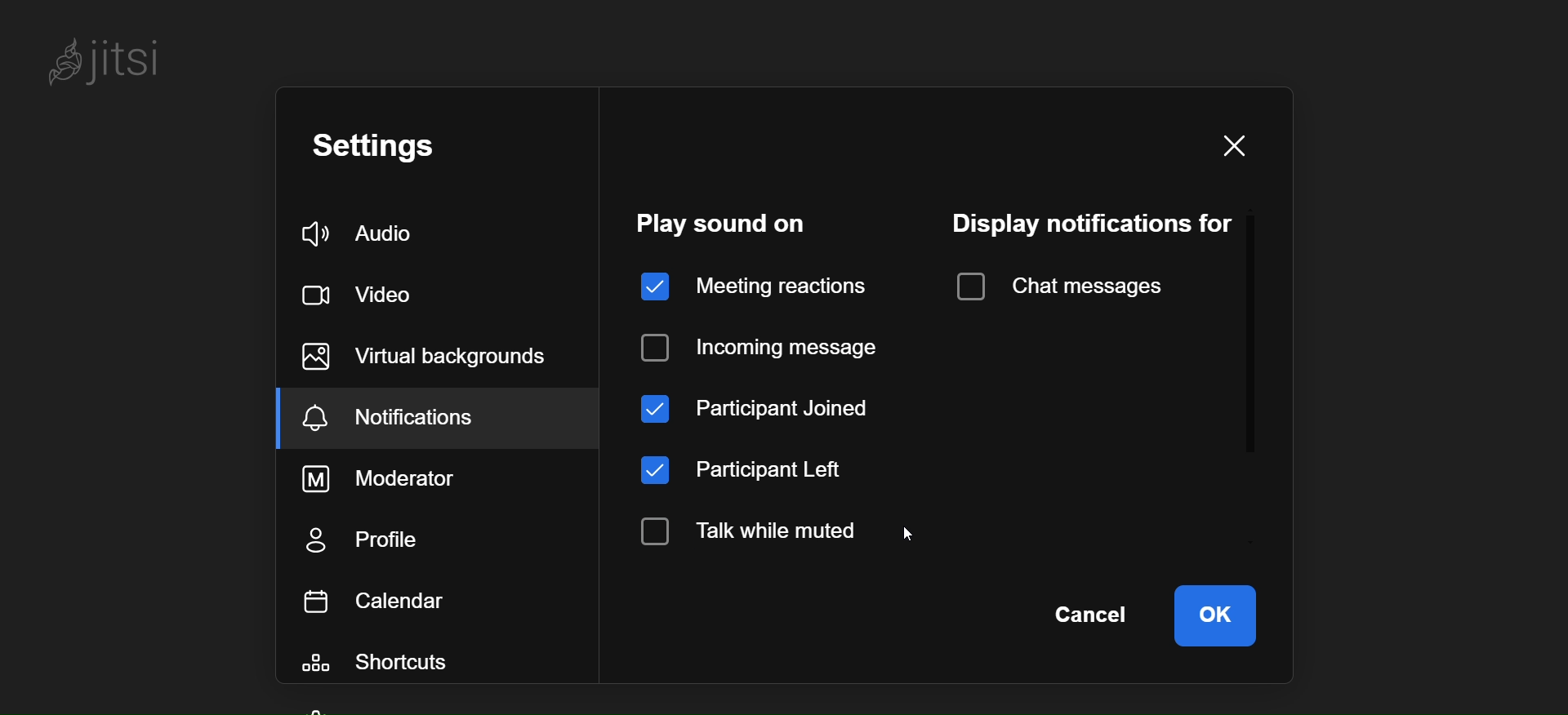 This screenshot has width=1568, height=715. What do you see at coordinates (116, 65) in the screenshot?
I see `jitsi` at bounding box center [116, 65].